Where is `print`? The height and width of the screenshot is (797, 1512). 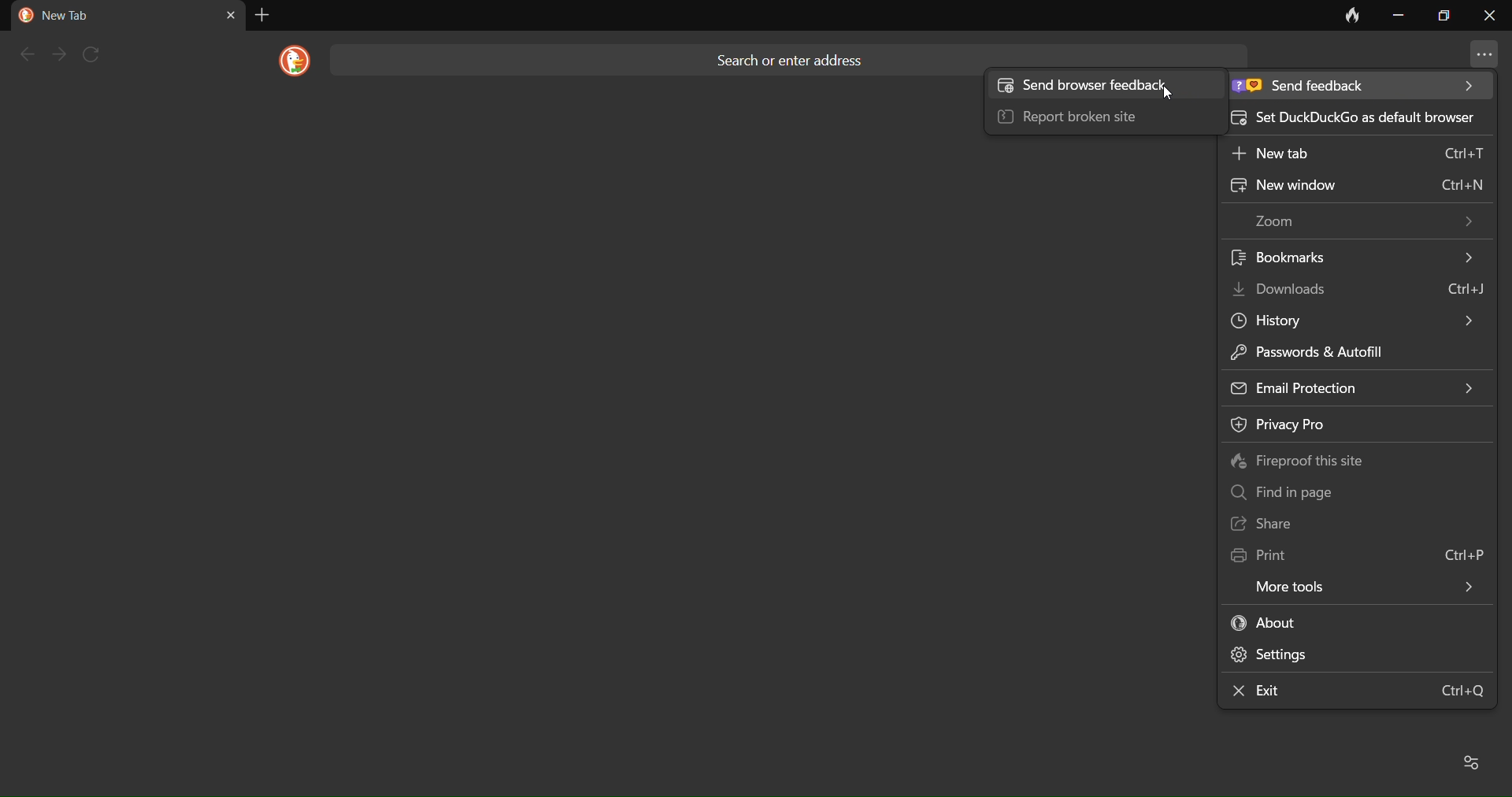 print is located at coordinates (1359, 551).